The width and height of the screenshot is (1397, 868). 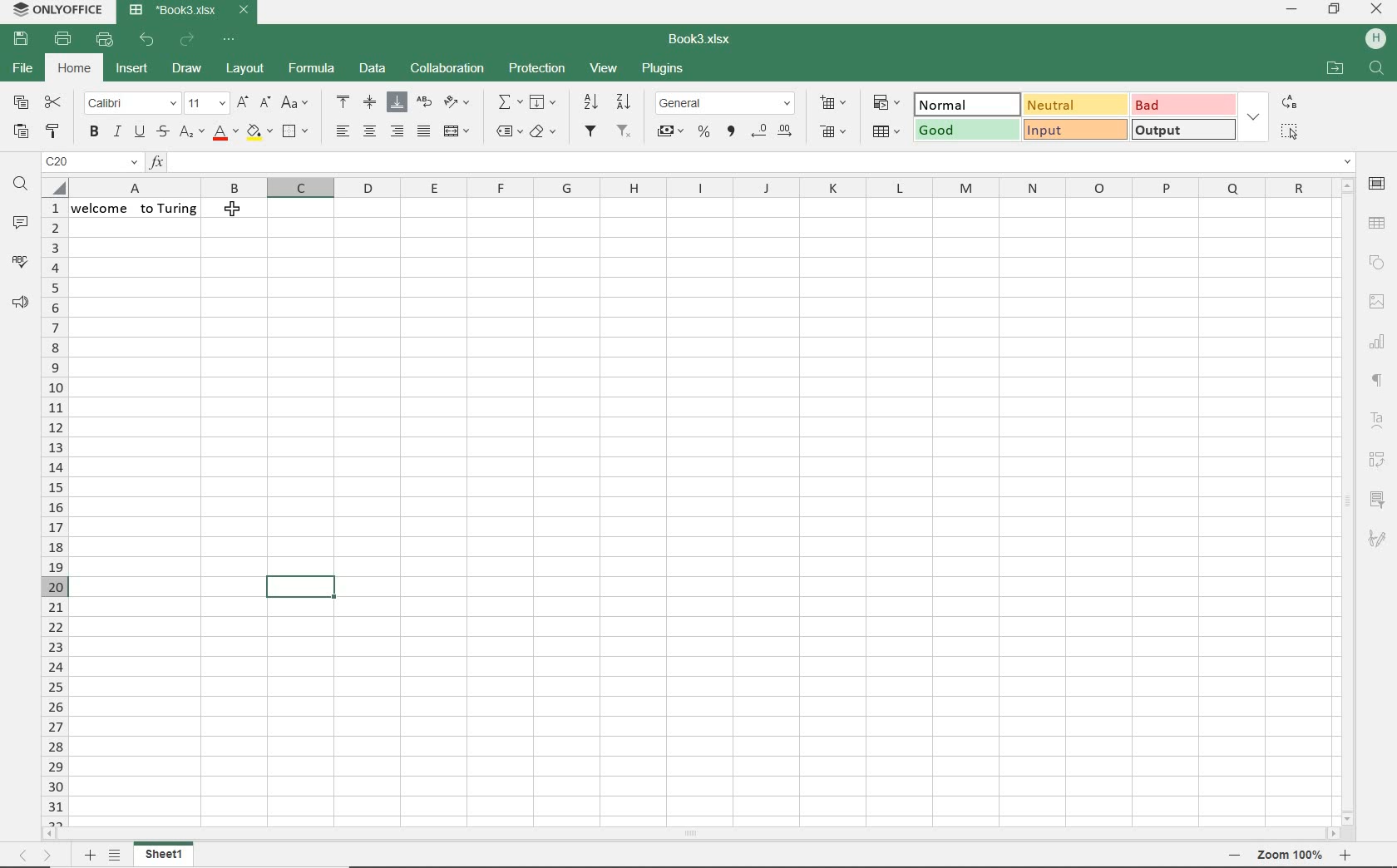 I want to click on copy, so click(x=21, y=102).